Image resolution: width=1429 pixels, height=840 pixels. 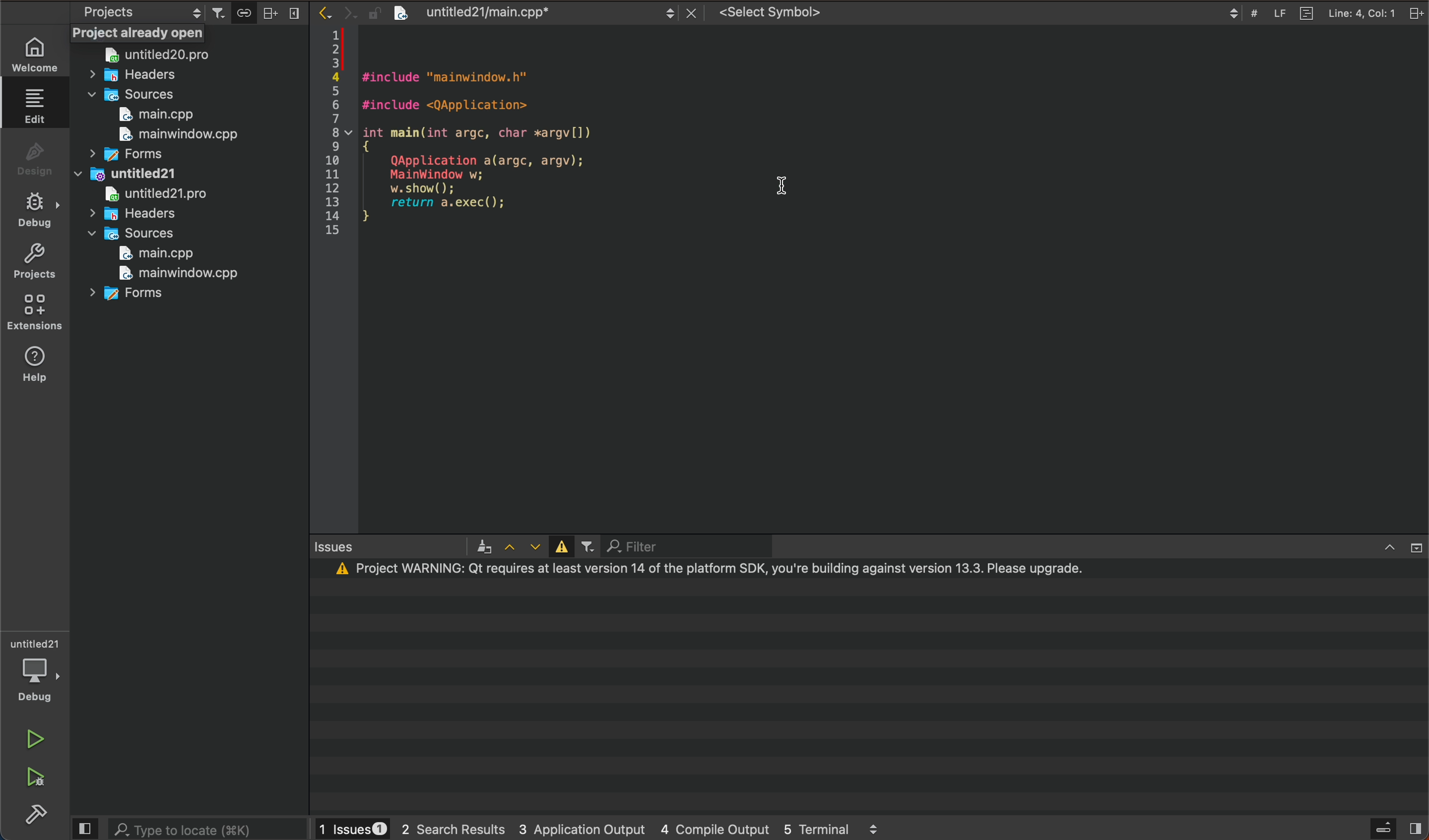 What do you see at coordinates (35, 261) in the screenshot?
I see `projects` at bounding box center [35, 261].